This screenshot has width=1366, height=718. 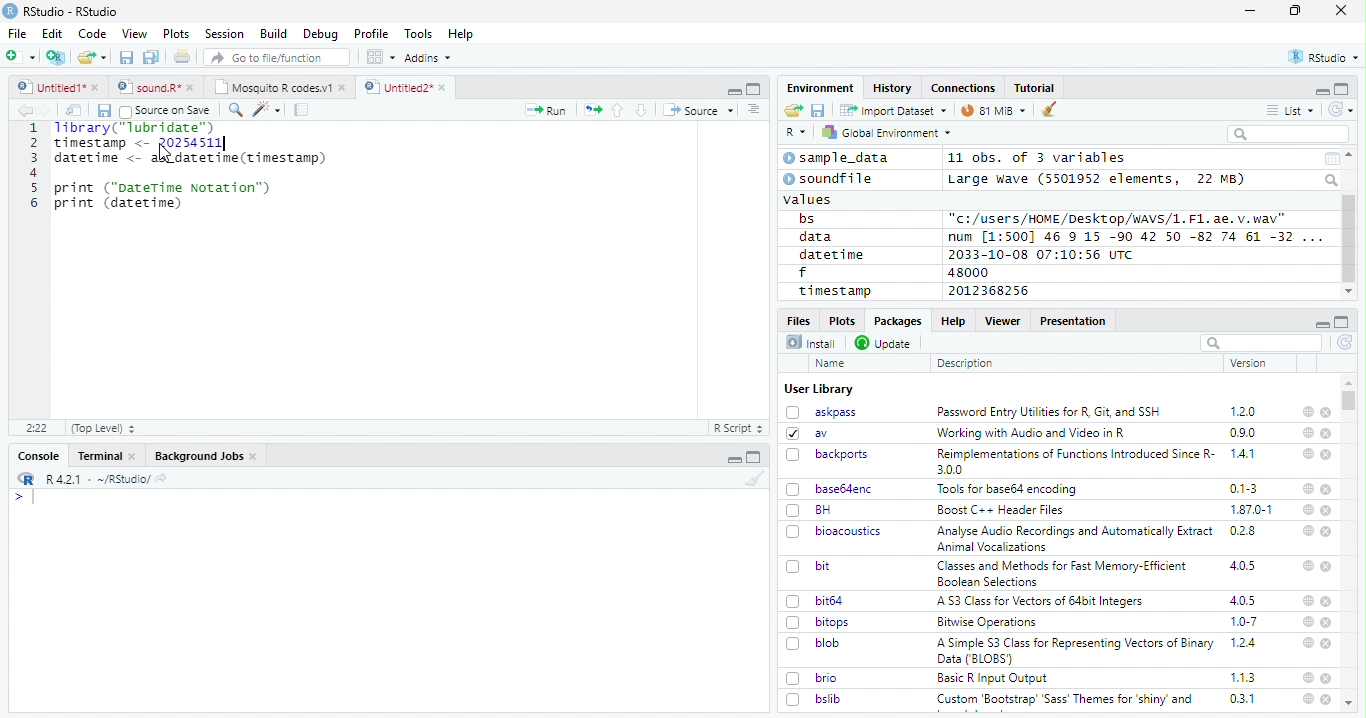 I want to click on Large wave (5501952 elements, 22 MB), so click(x=1099, y=179).